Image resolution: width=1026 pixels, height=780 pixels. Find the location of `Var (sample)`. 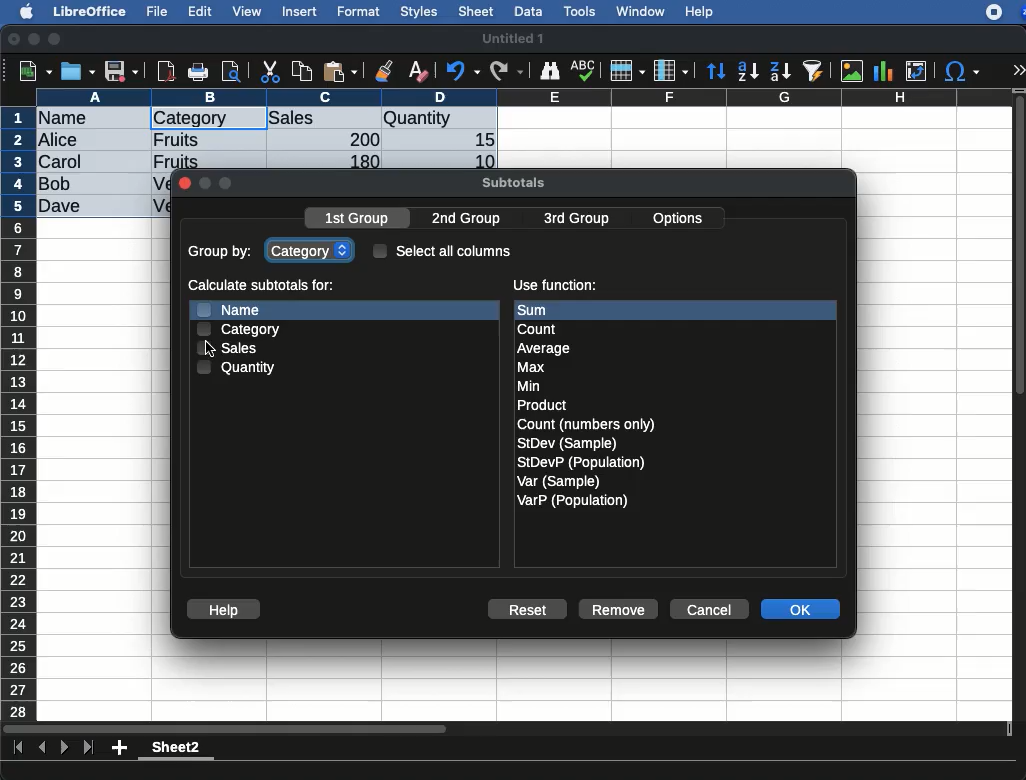

Var (sample) is located at coordinates (560, 481).